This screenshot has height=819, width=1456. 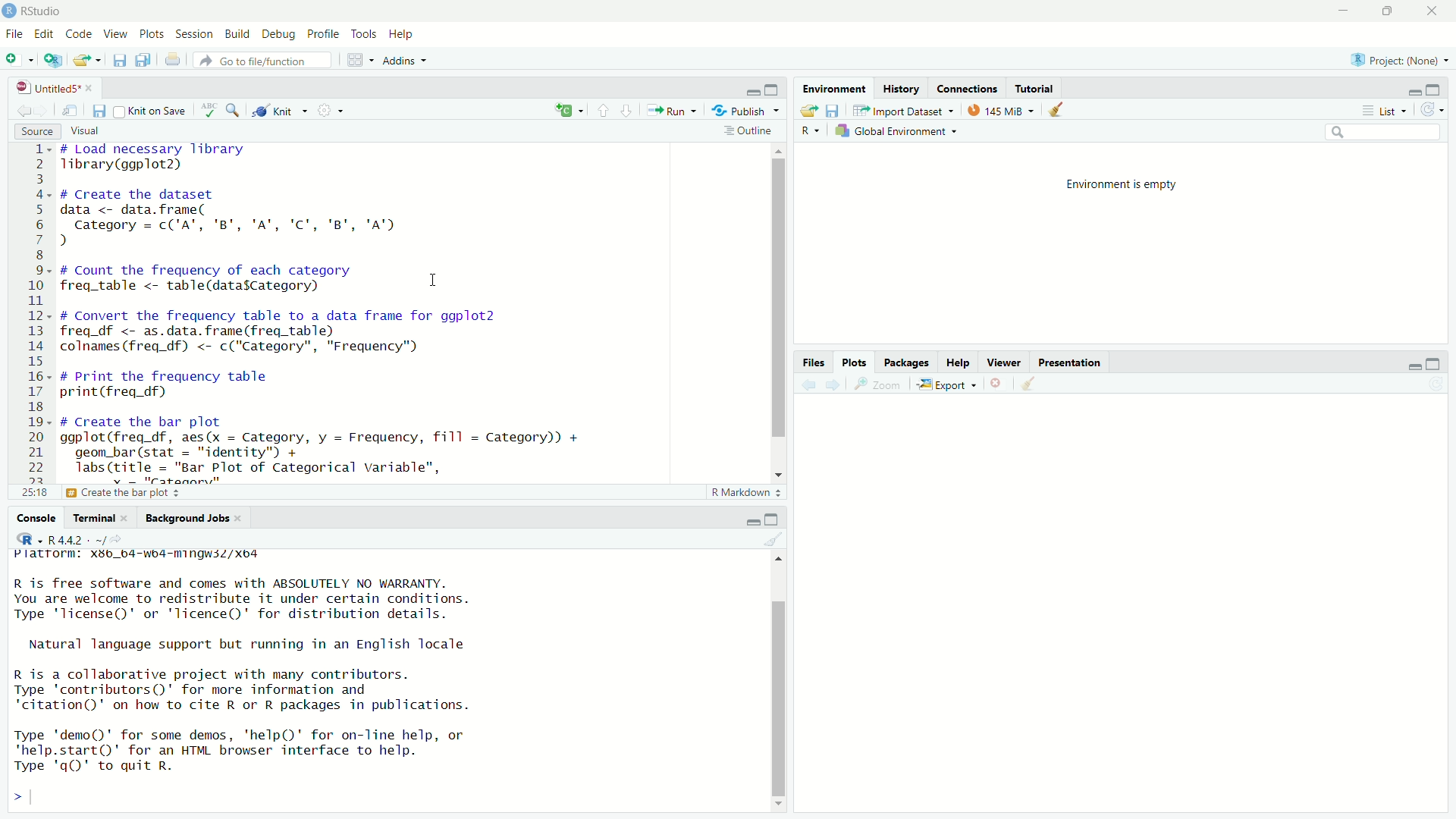 What do you see at coordinates (780, 700) in the screenshot?
I see `vertical scrollbar` at bounding box center [780, 700].